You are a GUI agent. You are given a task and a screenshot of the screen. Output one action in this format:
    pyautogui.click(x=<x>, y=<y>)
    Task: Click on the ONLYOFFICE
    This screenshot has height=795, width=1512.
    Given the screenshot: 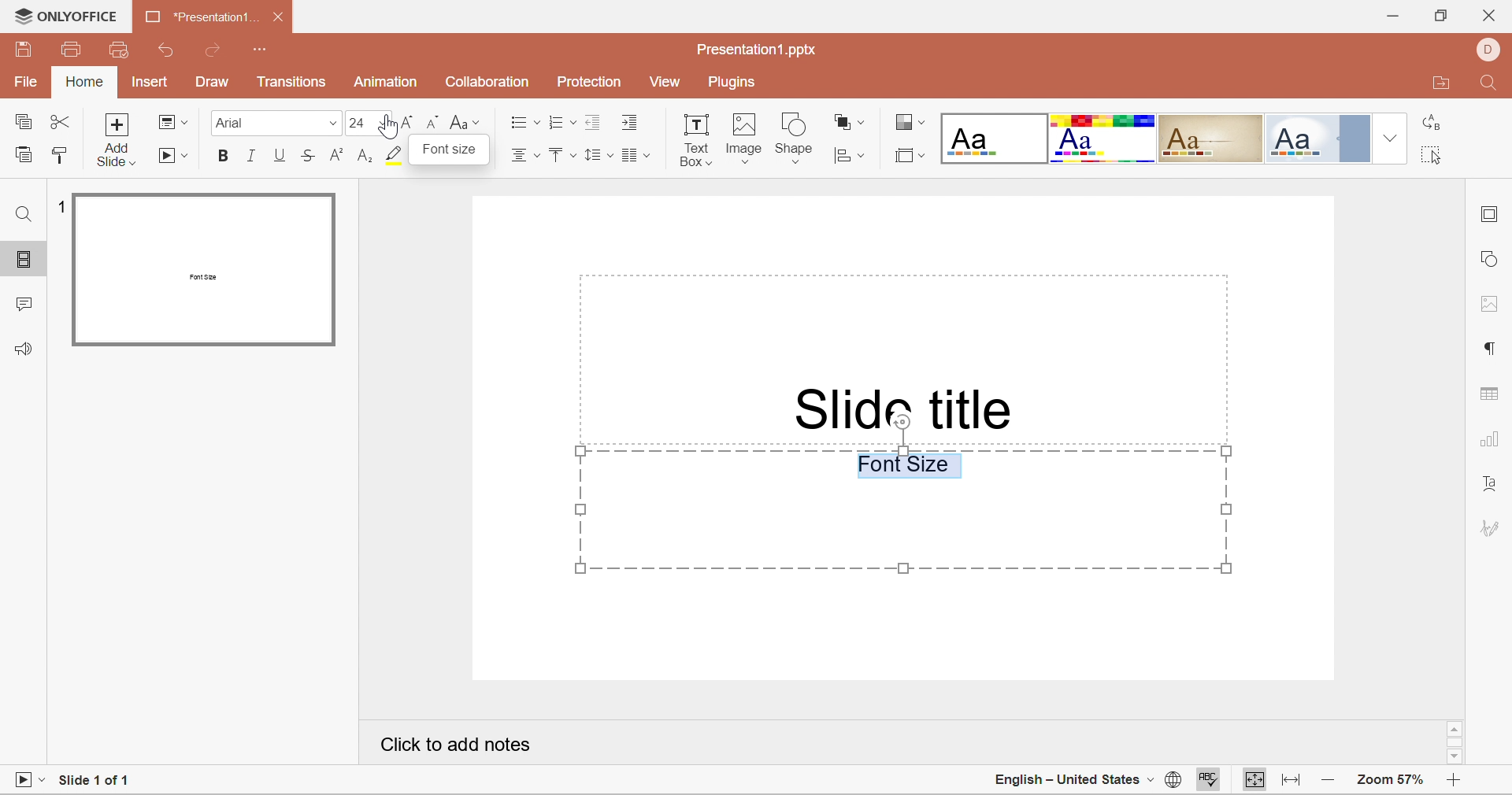 What is the action you would take?
    pyautogui.click(x=80, y=16)
    